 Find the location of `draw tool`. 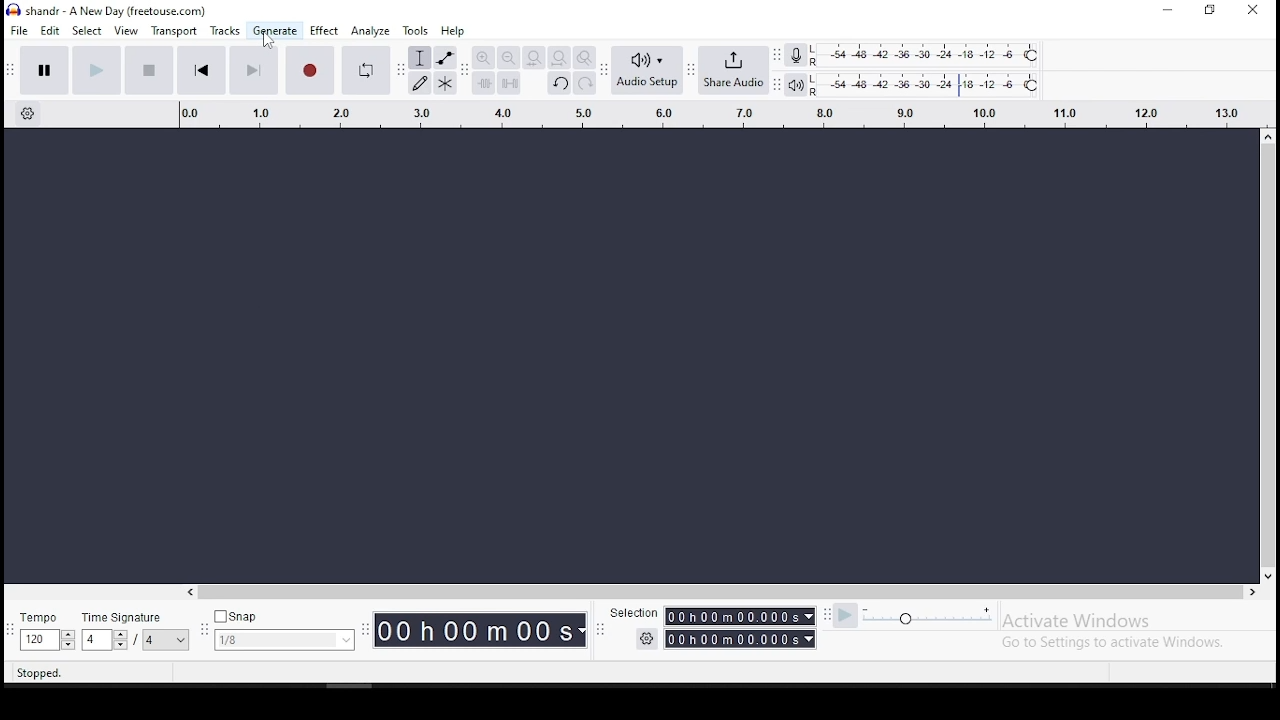

draw tool is located at coordinates (418, 82).